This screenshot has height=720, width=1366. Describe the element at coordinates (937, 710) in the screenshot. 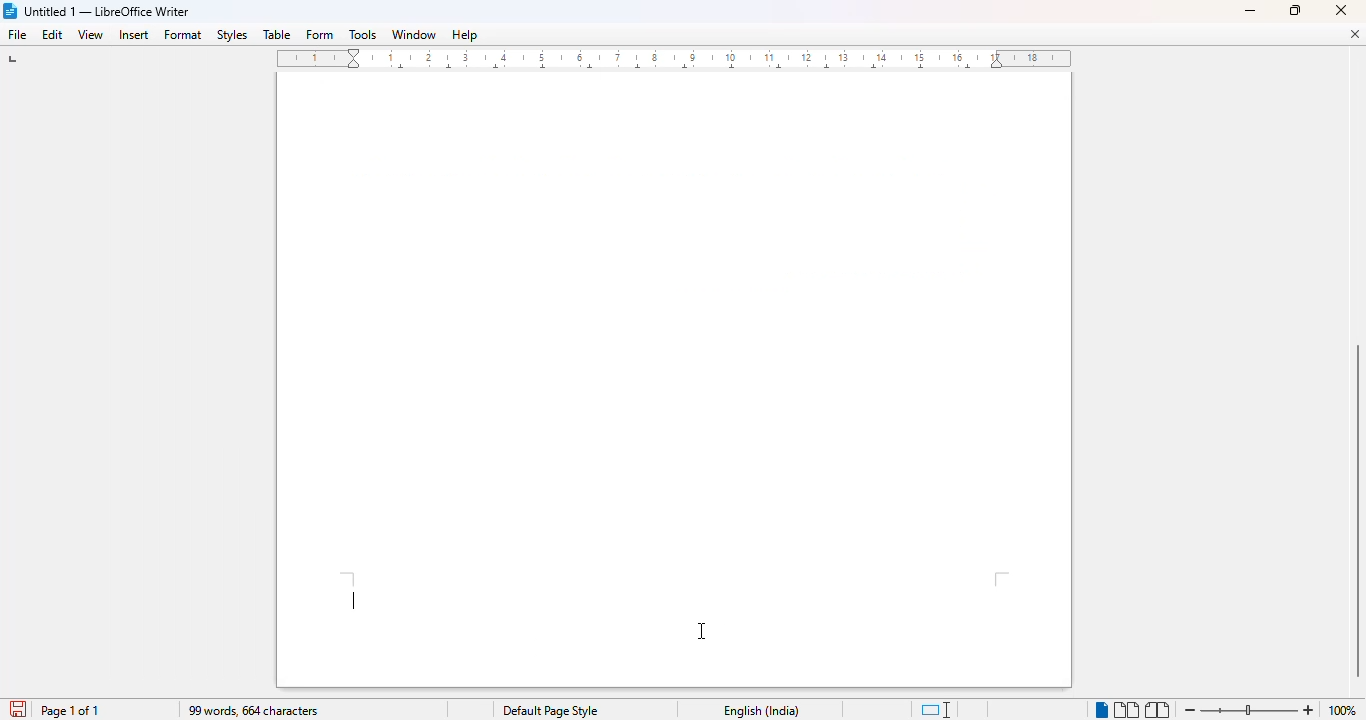

I see `standard selection` at that location.